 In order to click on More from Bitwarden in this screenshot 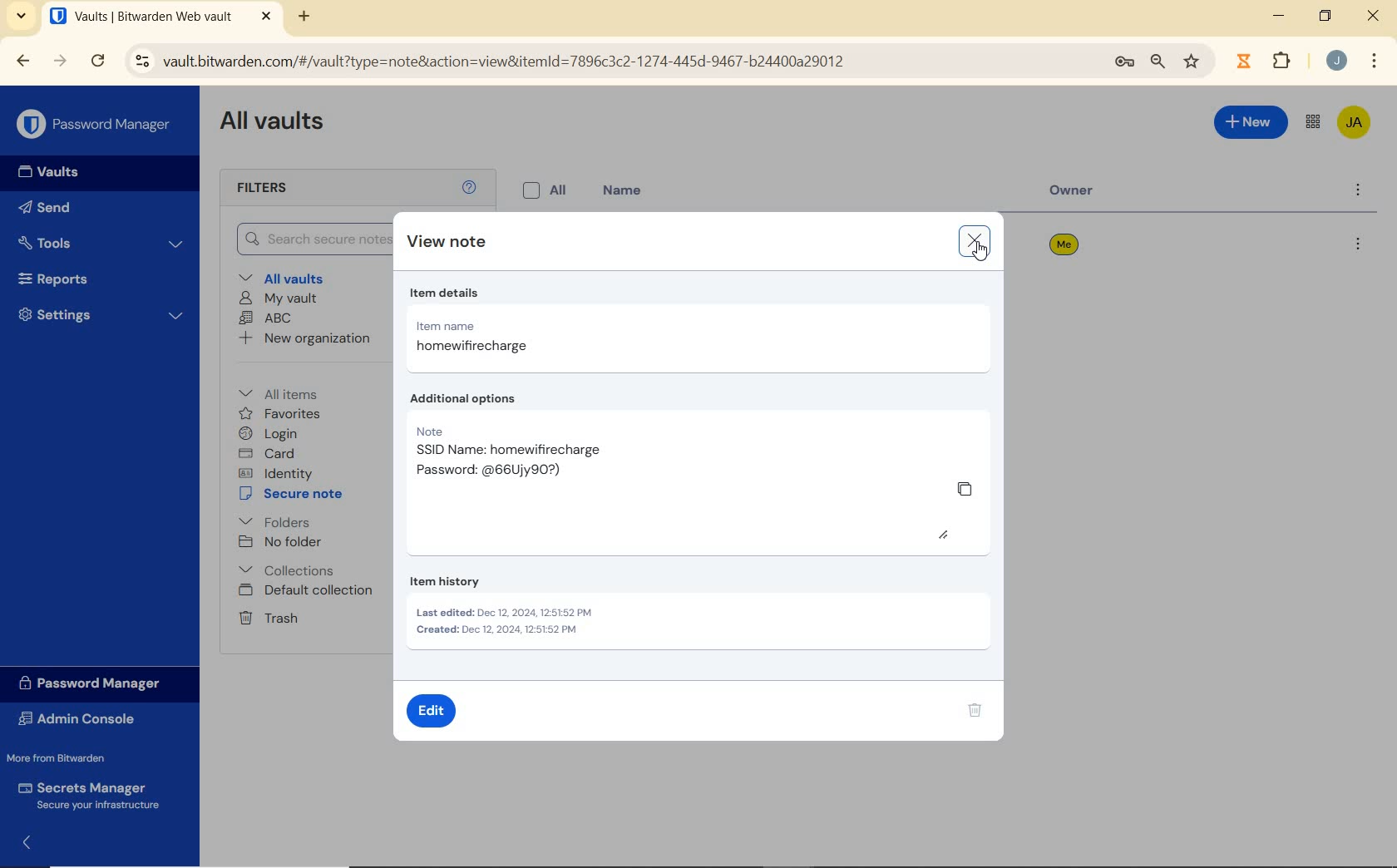, I will do `click(67, 757)`.